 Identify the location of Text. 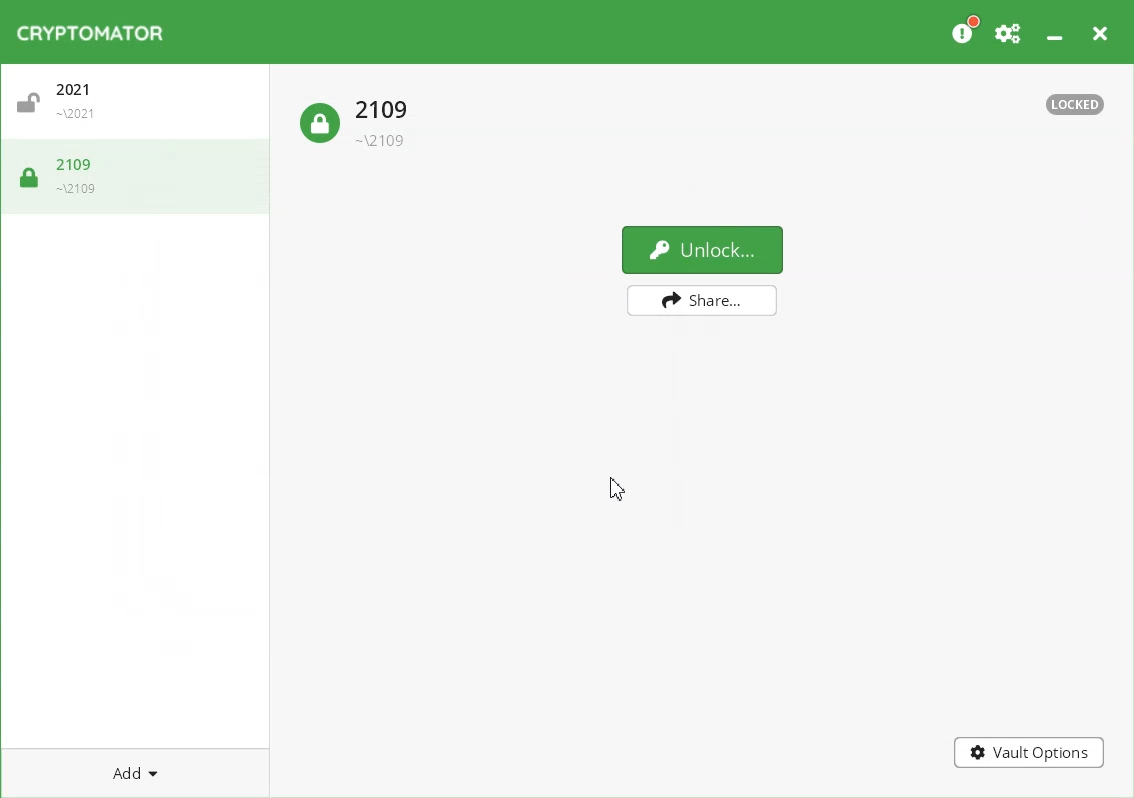
(1075, 105).